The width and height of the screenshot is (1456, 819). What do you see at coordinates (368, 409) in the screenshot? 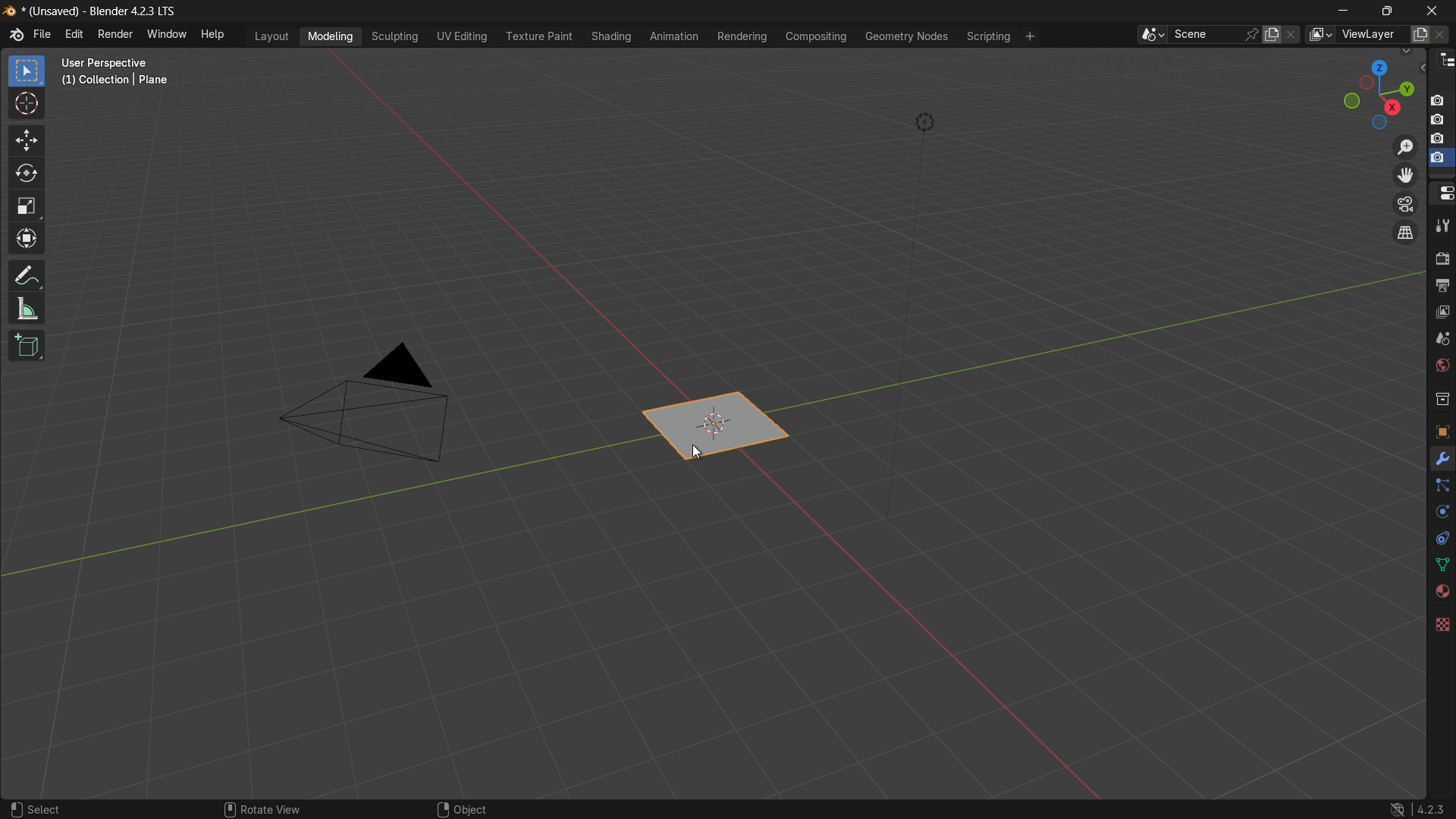
I see `camera` at bounding box center [368, 409].